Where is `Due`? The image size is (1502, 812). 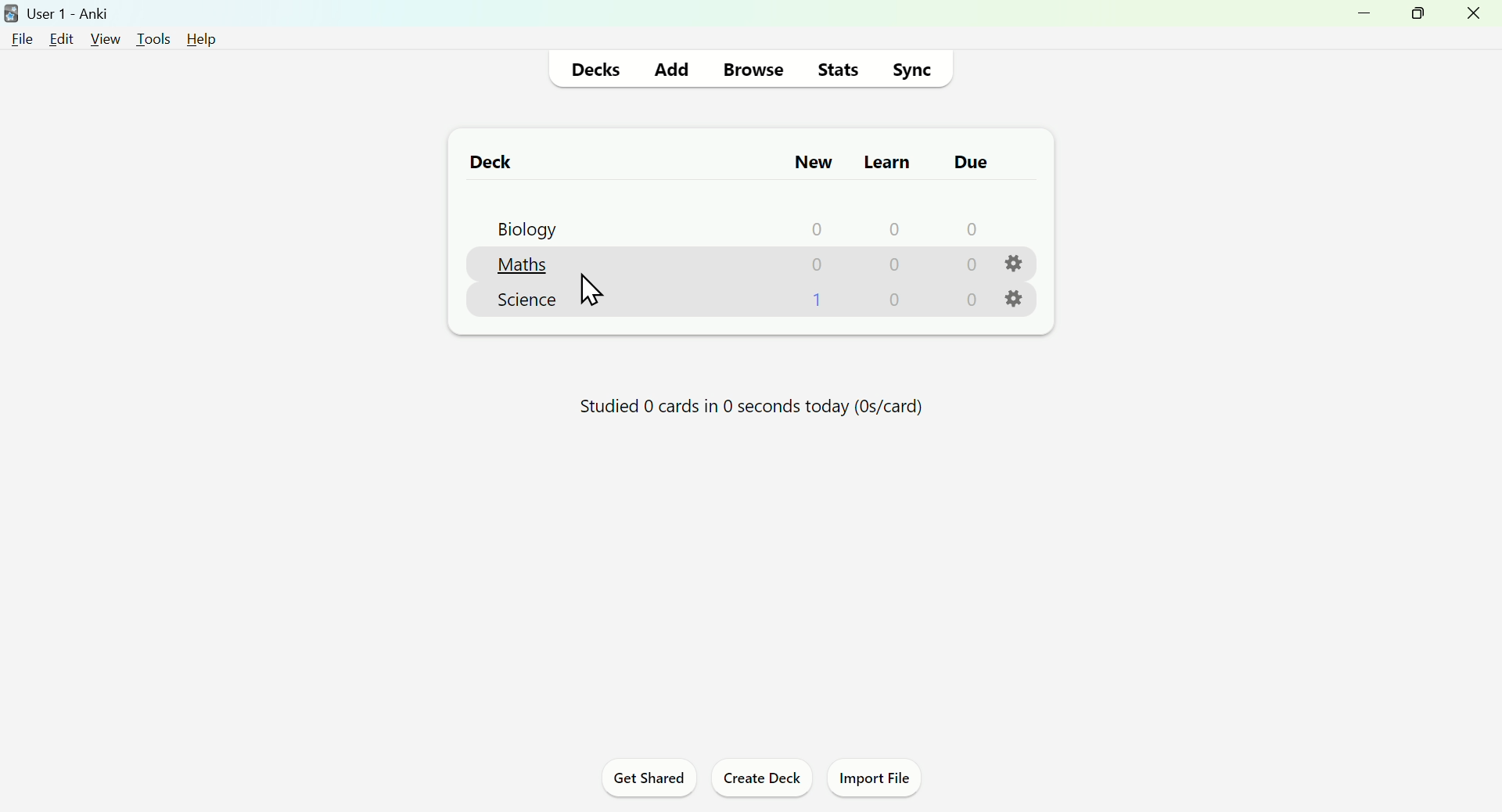 Due is located at coordinates (966, 162).